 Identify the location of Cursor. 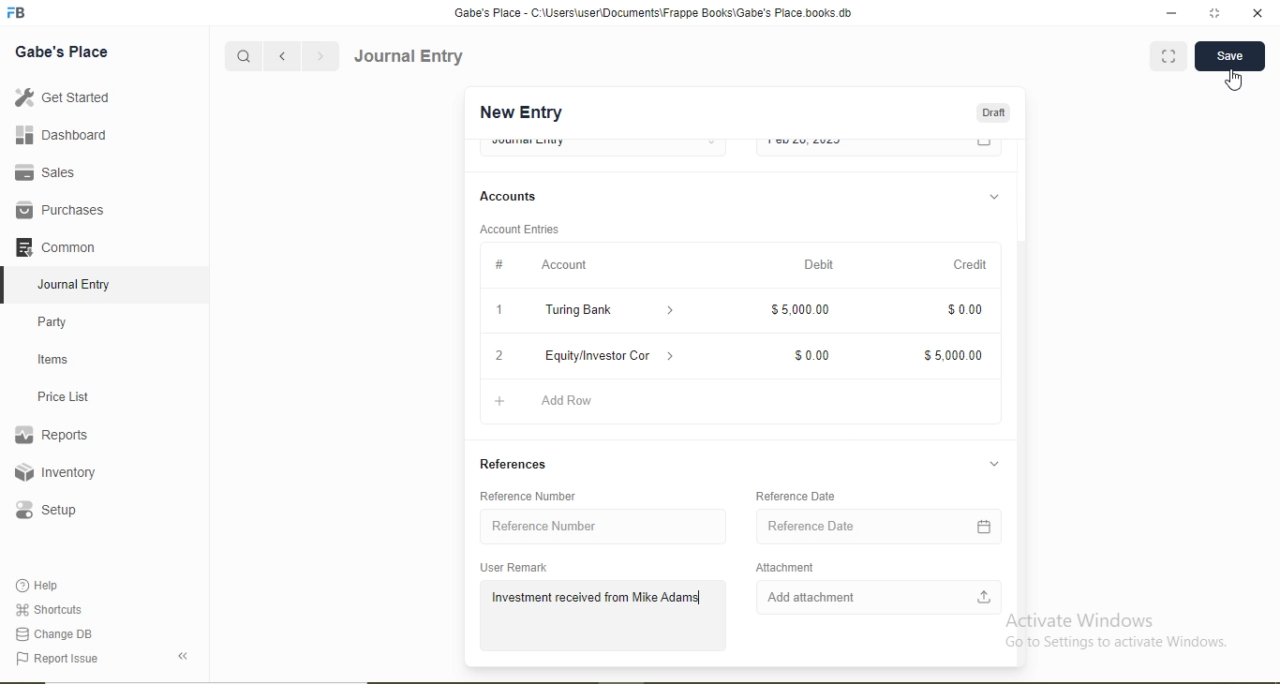
(1236, 81).